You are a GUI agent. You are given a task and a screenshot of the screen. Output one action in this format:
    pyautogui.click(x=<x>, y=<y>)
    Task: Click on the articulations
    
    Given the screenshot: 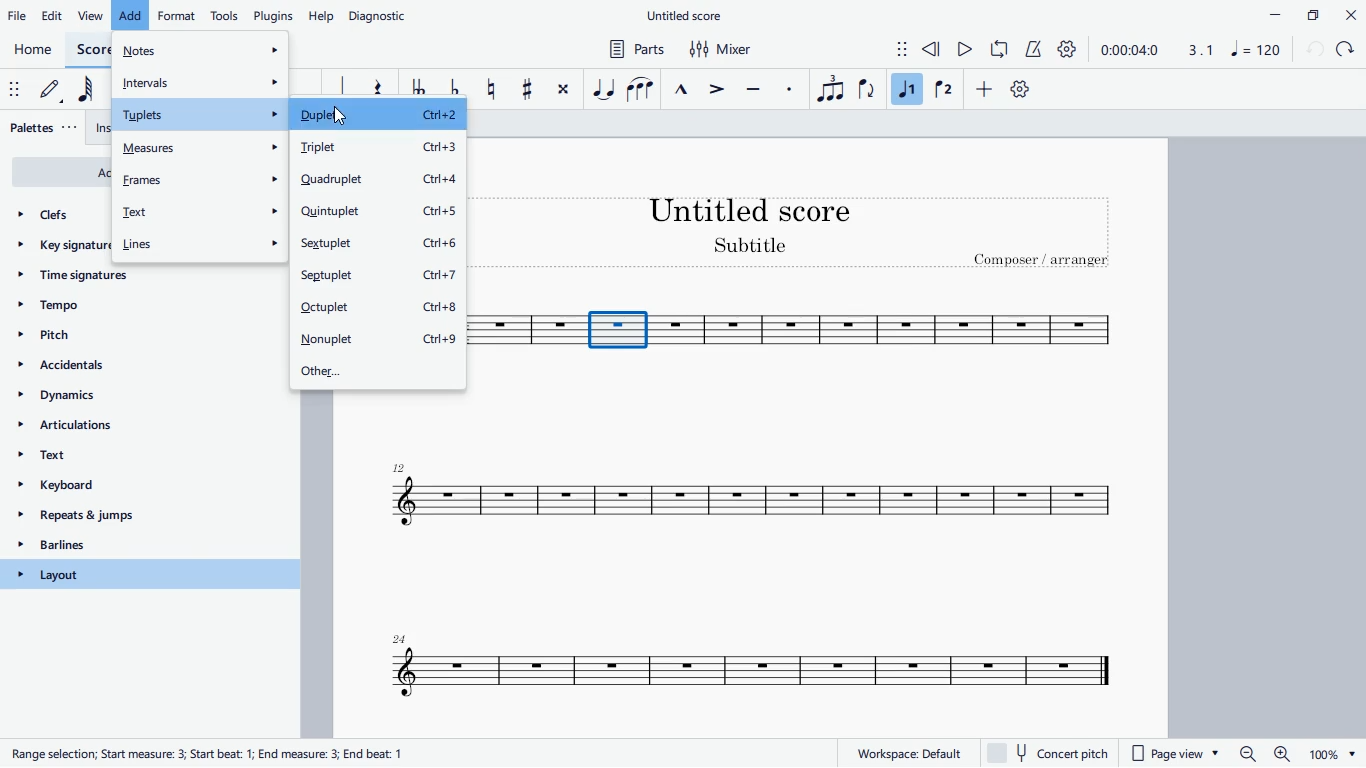 What is the action you would take?
    pyautogui.click(x=136, y=429)
    